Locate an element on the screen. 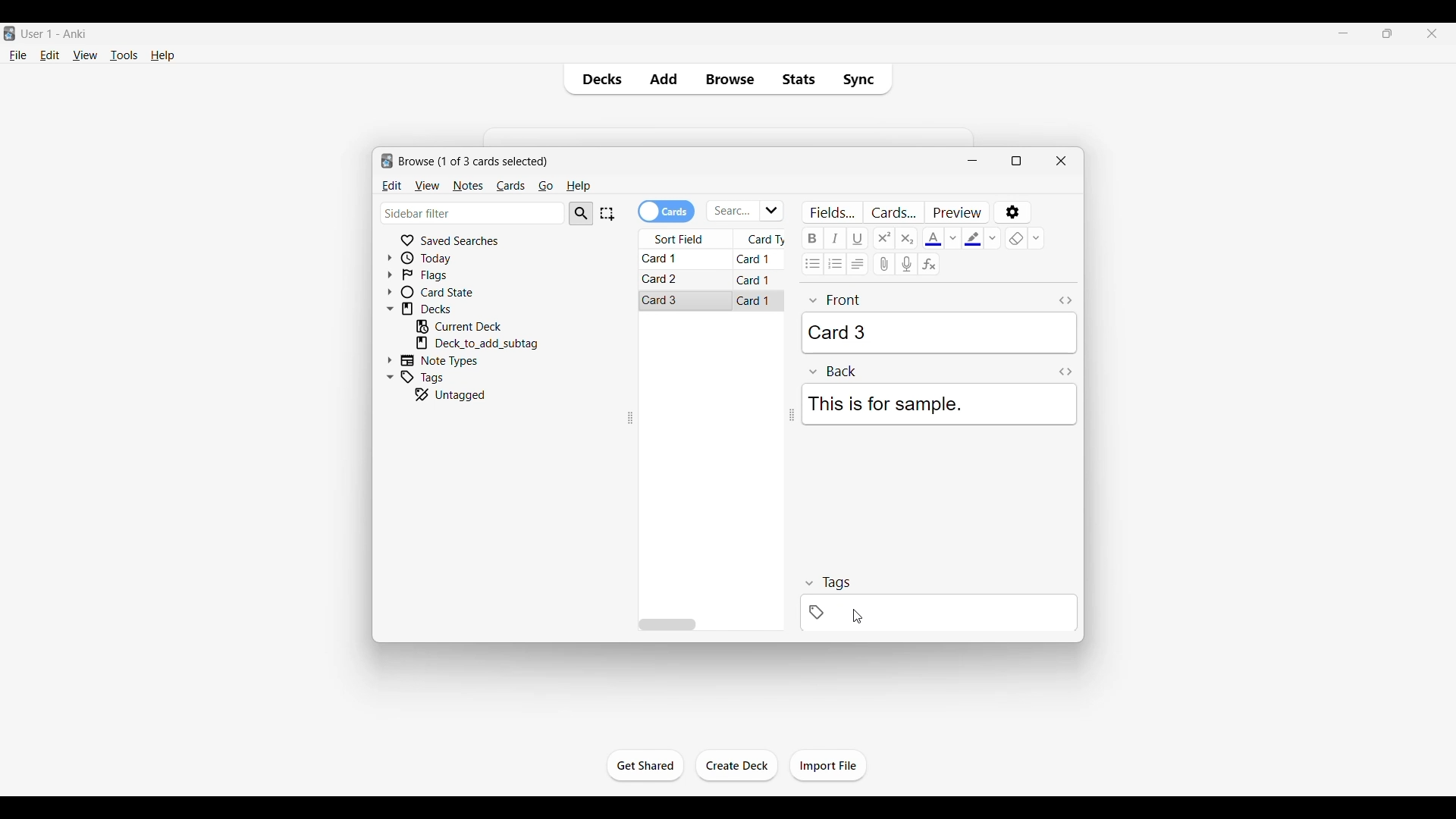 This screenshot has width=1456, height=819. Click to start the study session for current deck is located at coordinates (645, 766).